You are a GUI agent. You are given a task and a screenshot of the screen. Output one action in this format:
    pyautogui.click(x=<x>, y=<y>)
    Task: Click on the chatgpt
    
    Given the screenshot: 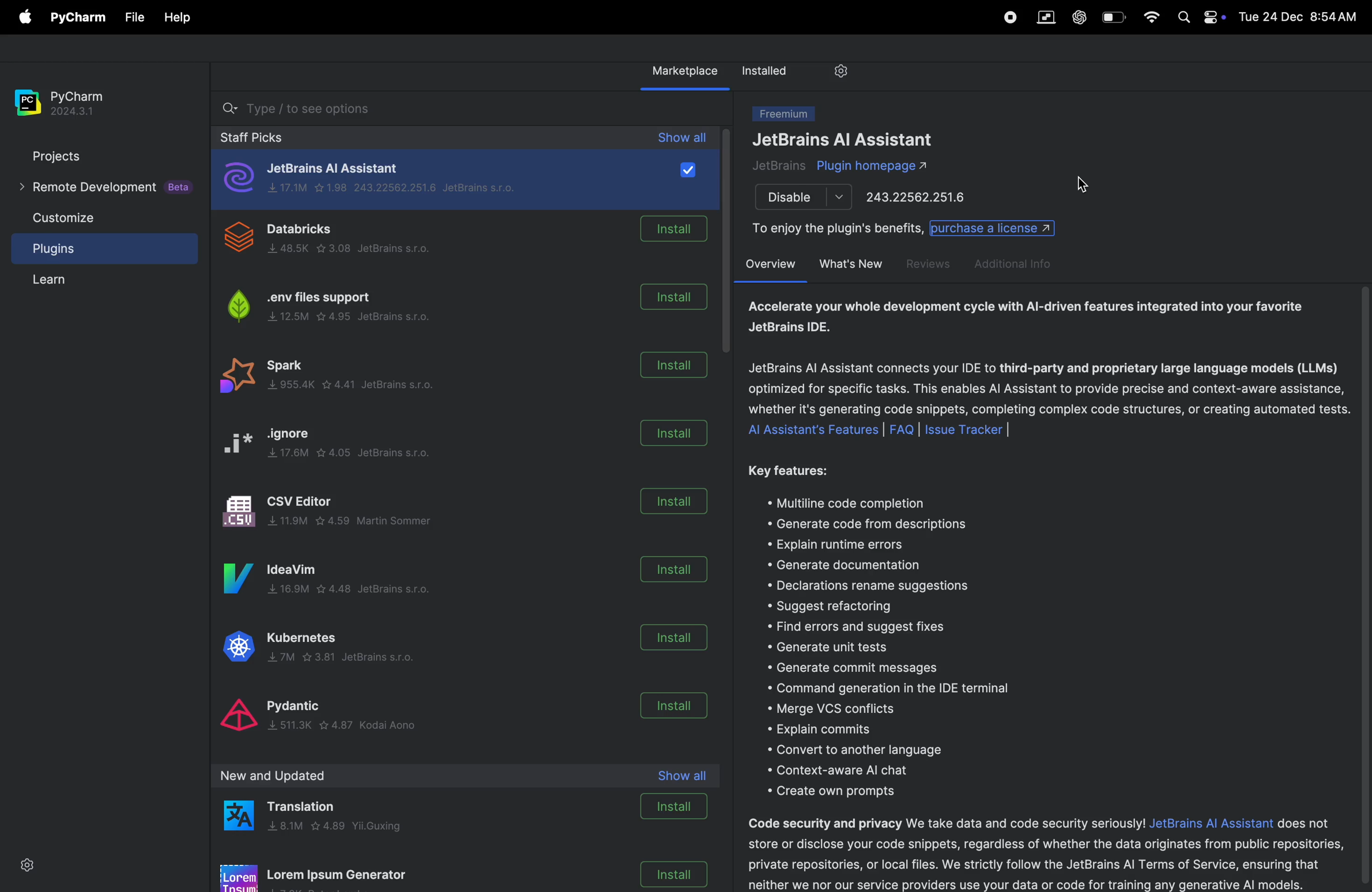 What is the action you would take?
    pyautogui.click(x=1076, y=16)
    